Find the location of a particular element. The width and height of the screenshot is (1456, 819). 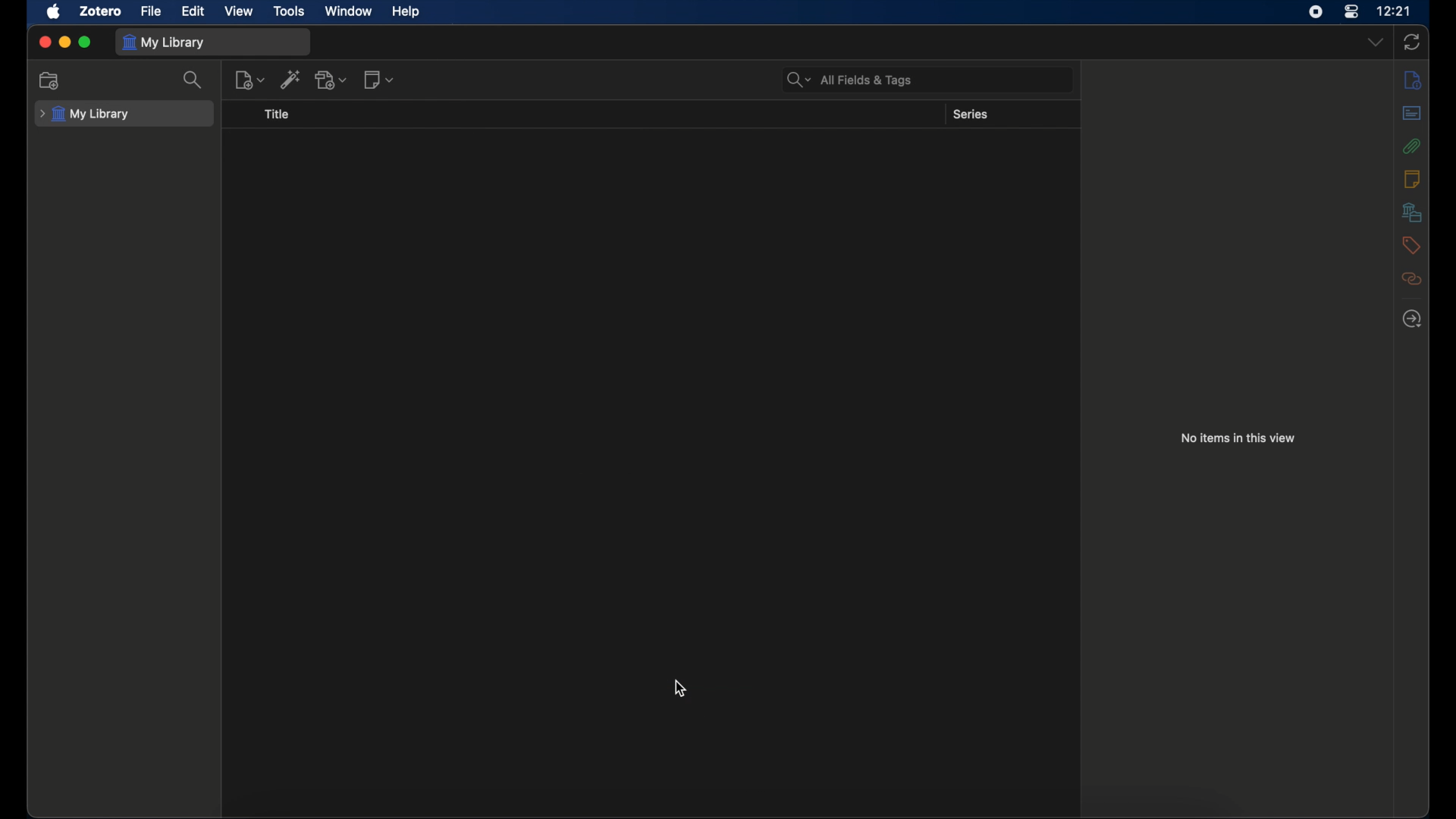

no items in this view is located at coordinates (1237, 438).